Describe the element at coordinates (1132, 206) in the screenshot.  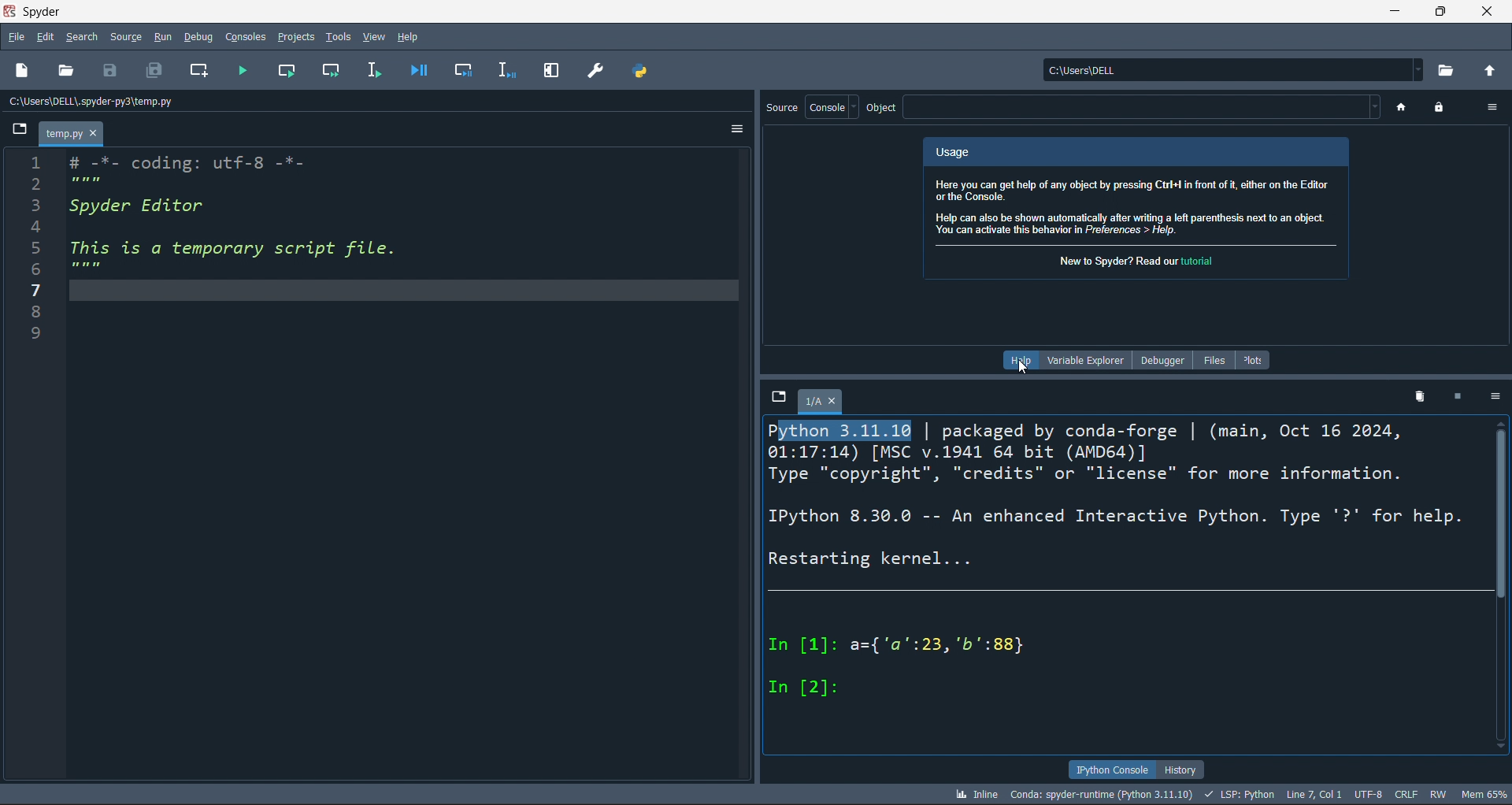
I see `Here you can get help of any object by pressing Ctrl! in front of i, either on the Editor
or the Console.

Help can also be shown automatically after writing a left parenthesis next to an object.
You can activate this behavior in Preferences > Help.` at that location.